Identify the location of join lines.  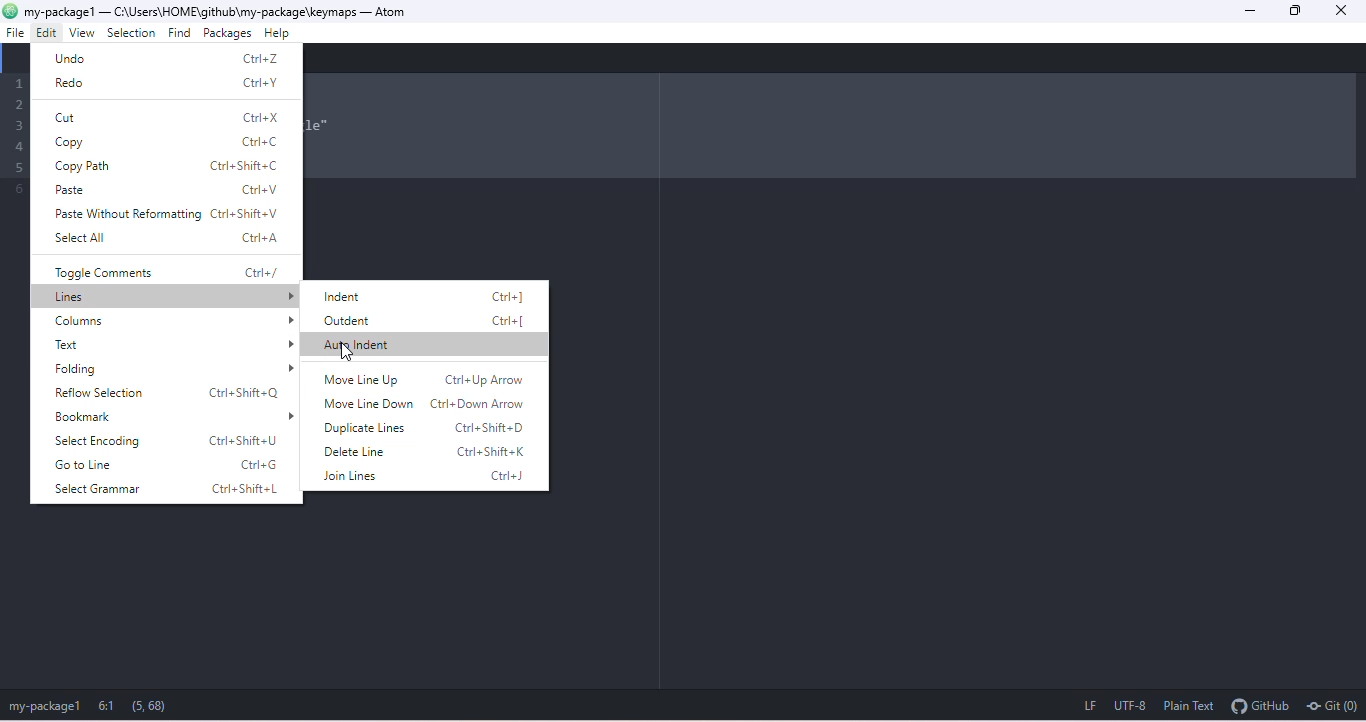
(427, 475).